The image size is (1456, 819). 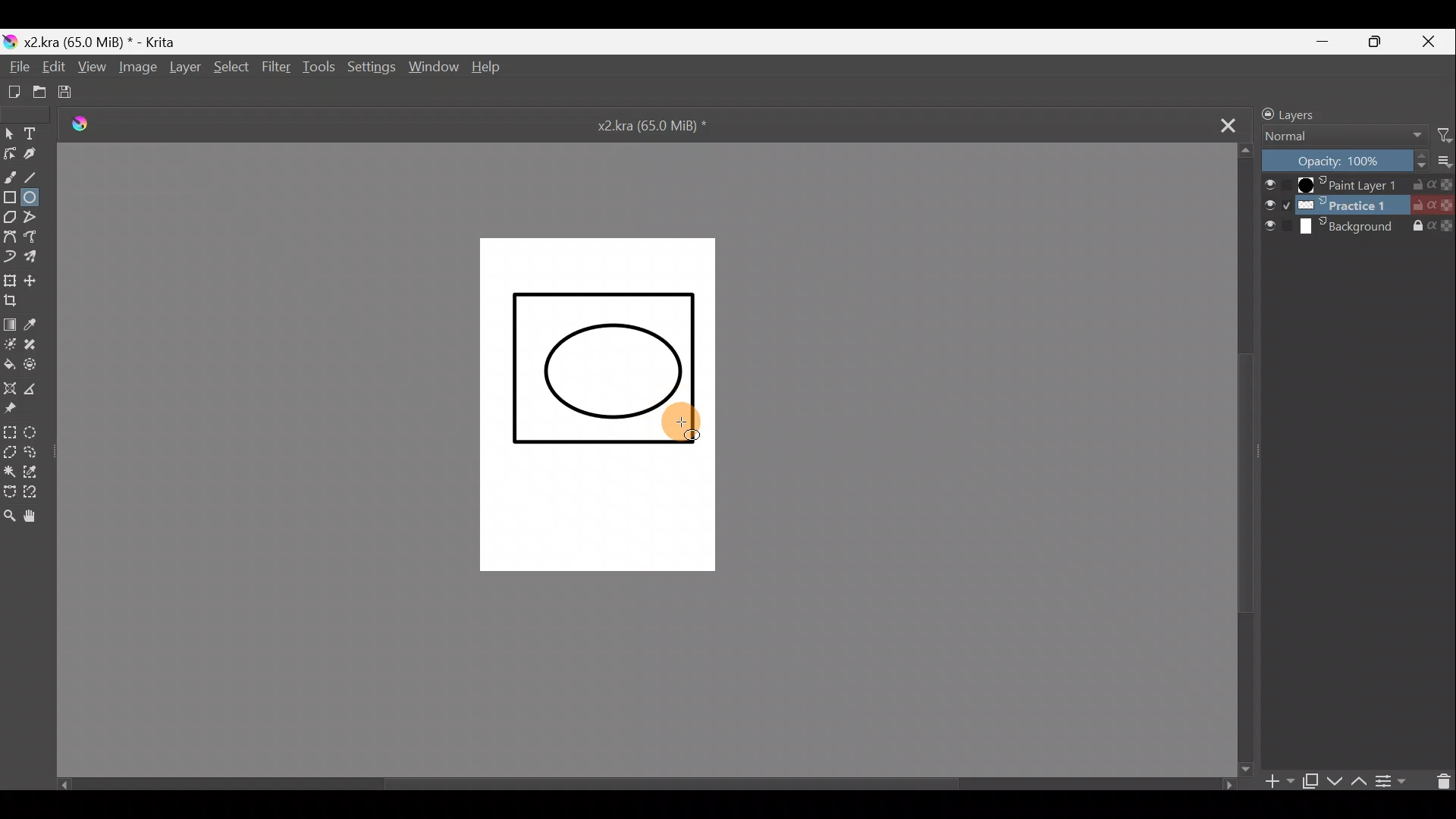 What do you see at coordinates (34, 365) in the screenshot?
I see `Enclose & fill tool` at bounding box center [34, 365].